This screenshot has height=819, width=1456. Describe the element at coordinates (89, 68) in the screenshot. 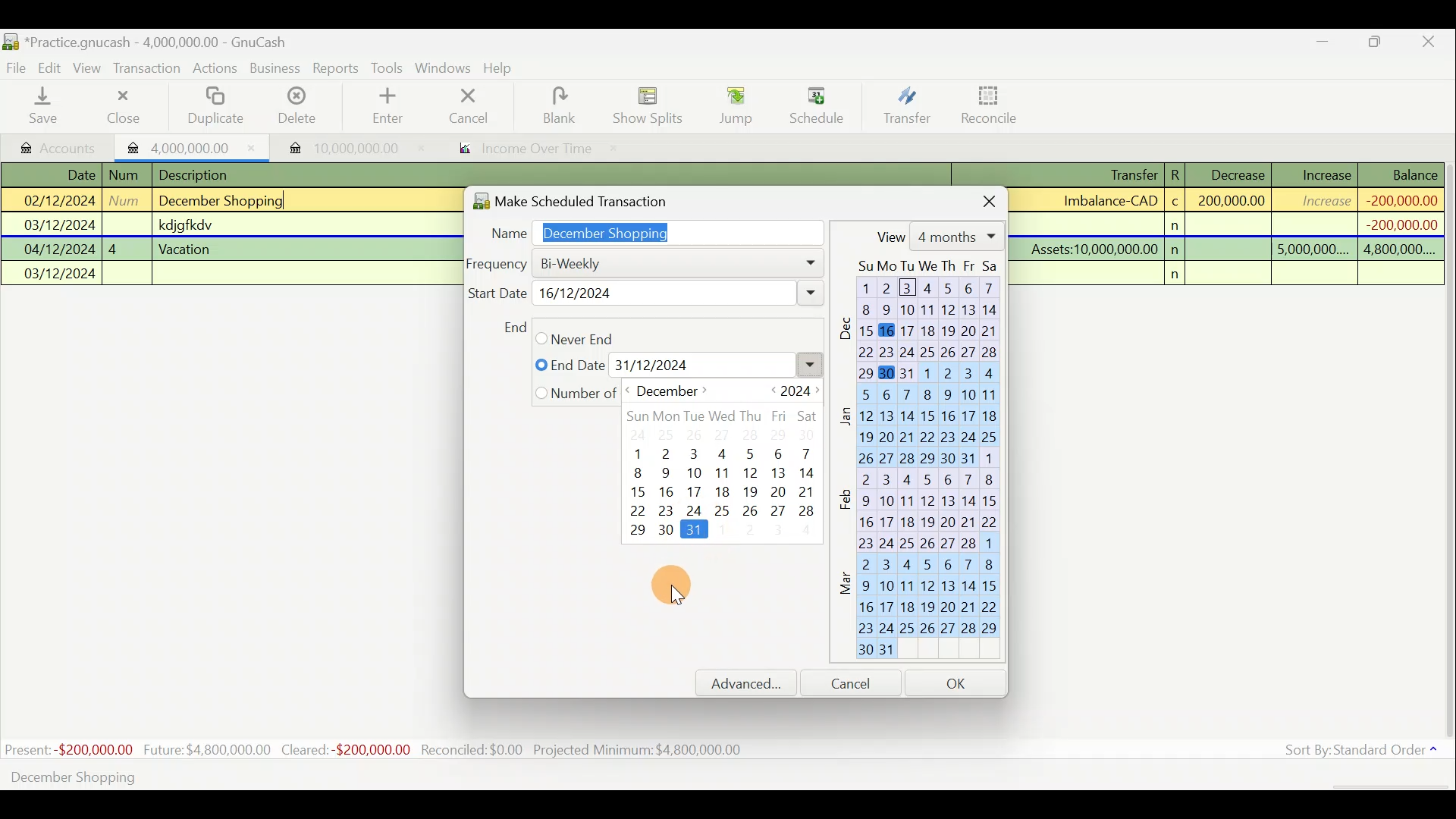

I see `View` at that location.